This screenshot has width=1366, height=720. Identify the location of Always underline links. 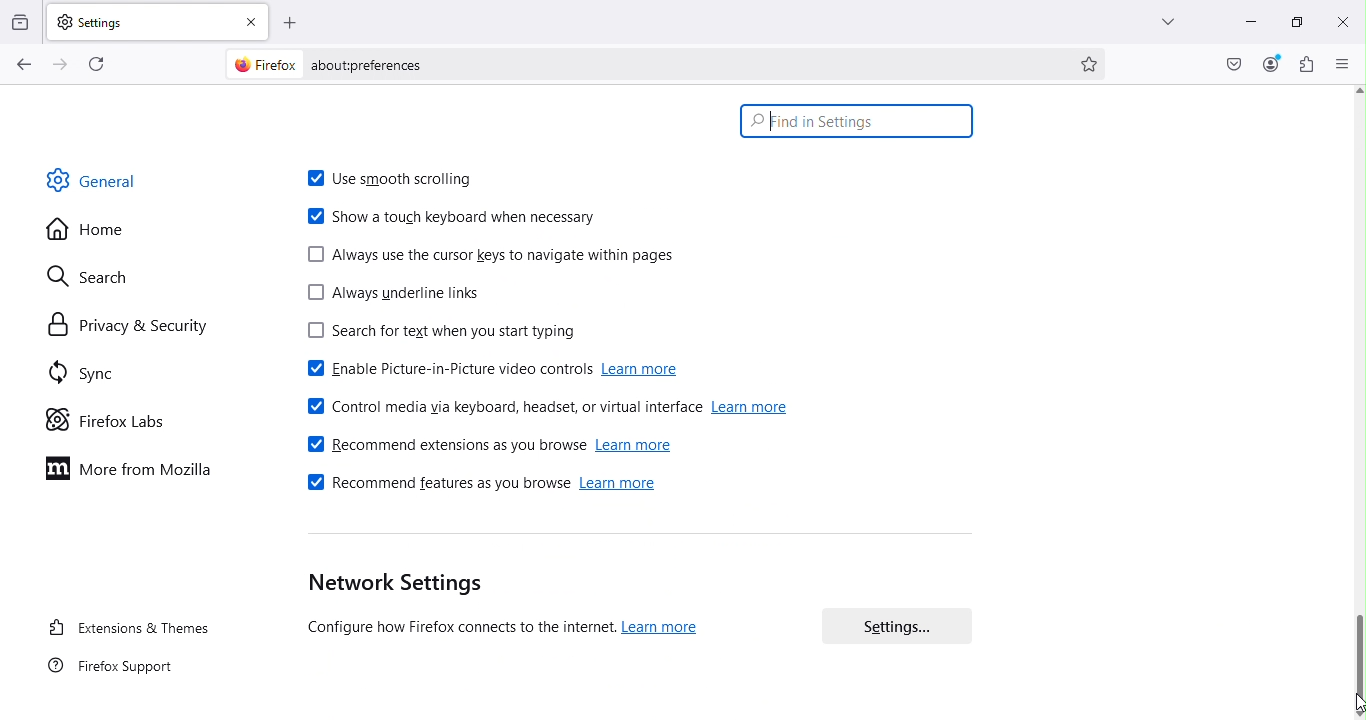
(403, 296).